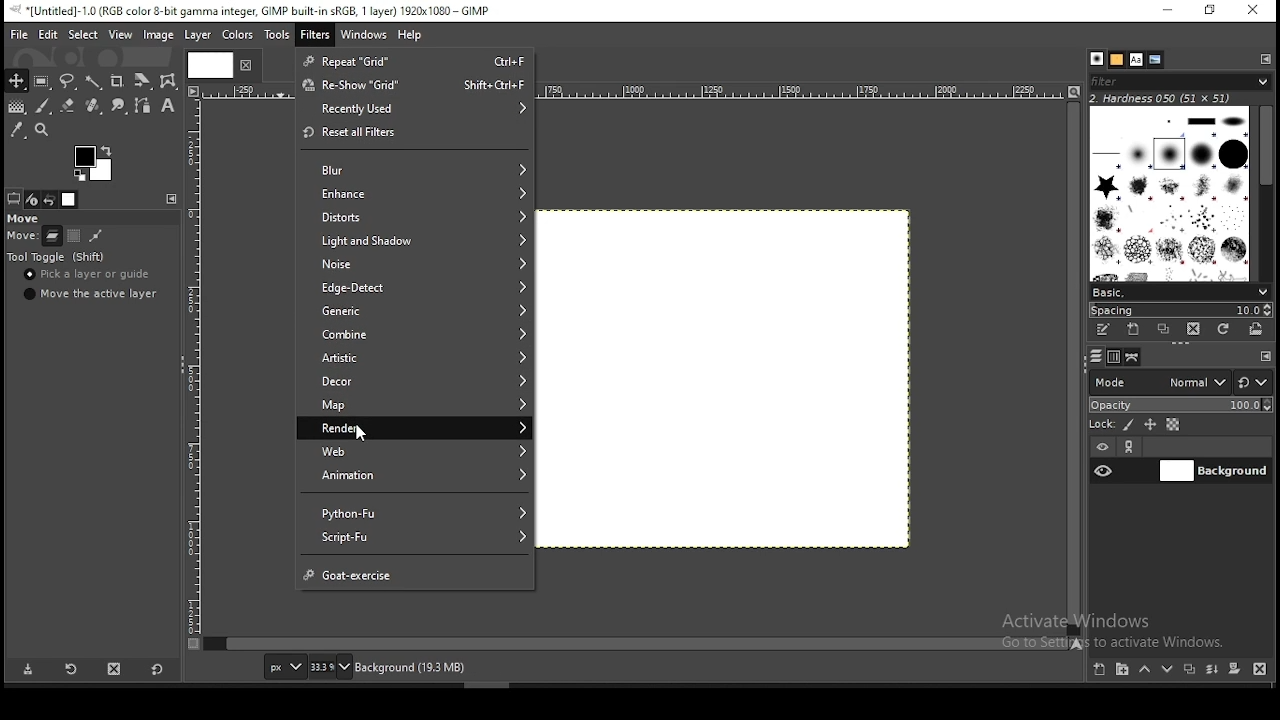  I want to click on layer visibility on/off, so click(1104, 470).